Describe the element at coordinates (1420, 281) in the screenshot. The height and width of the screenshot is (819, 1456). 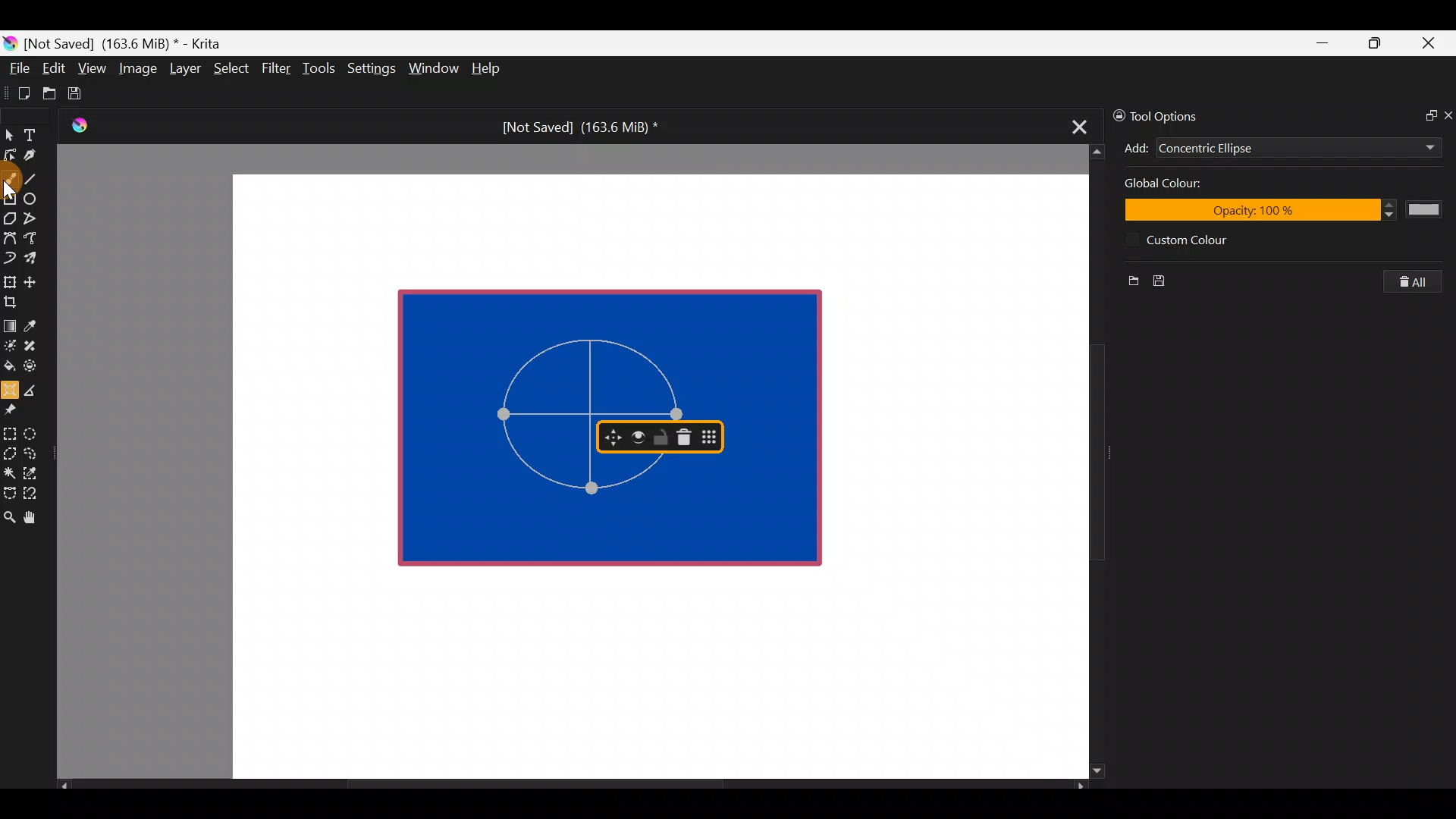
I see `Clear all` at that location.